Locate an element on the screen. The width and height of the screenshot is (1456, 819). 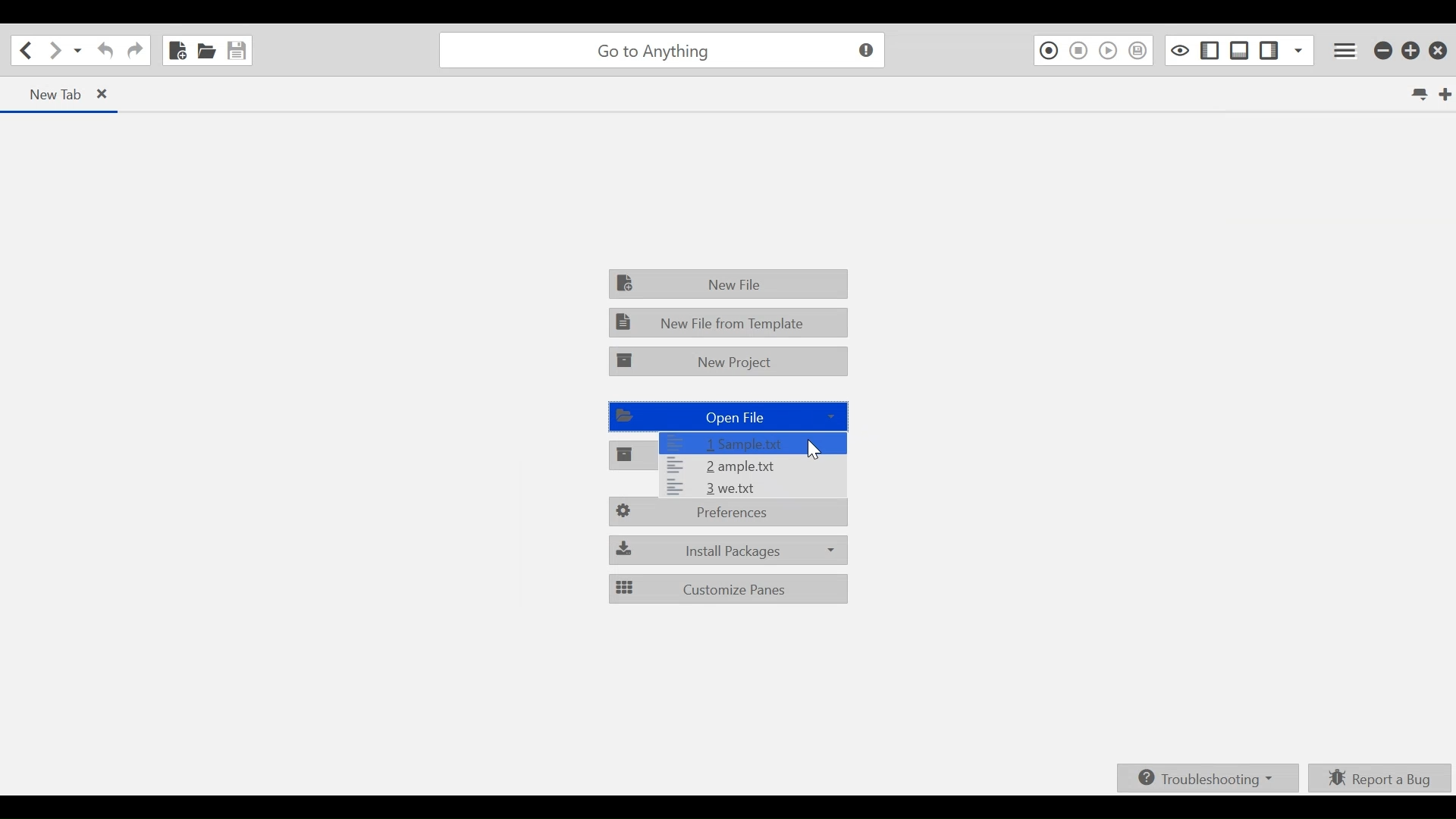
Play Last Macro is located at coordinates (1108, 50).